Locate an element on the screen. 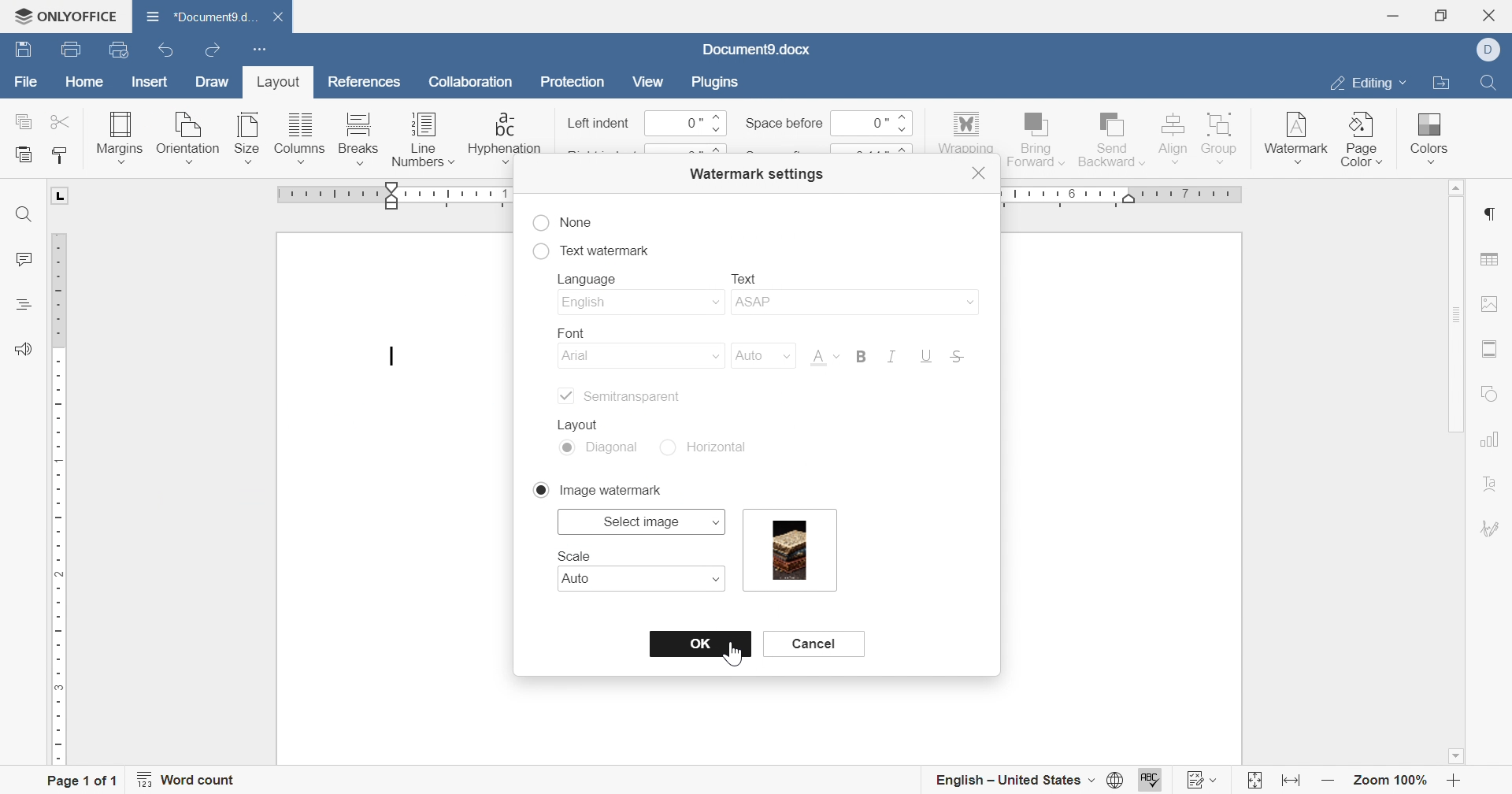 Image resolution: width=1512 pixels, height=794 pixels. paste is located at coordinates (24, 155).